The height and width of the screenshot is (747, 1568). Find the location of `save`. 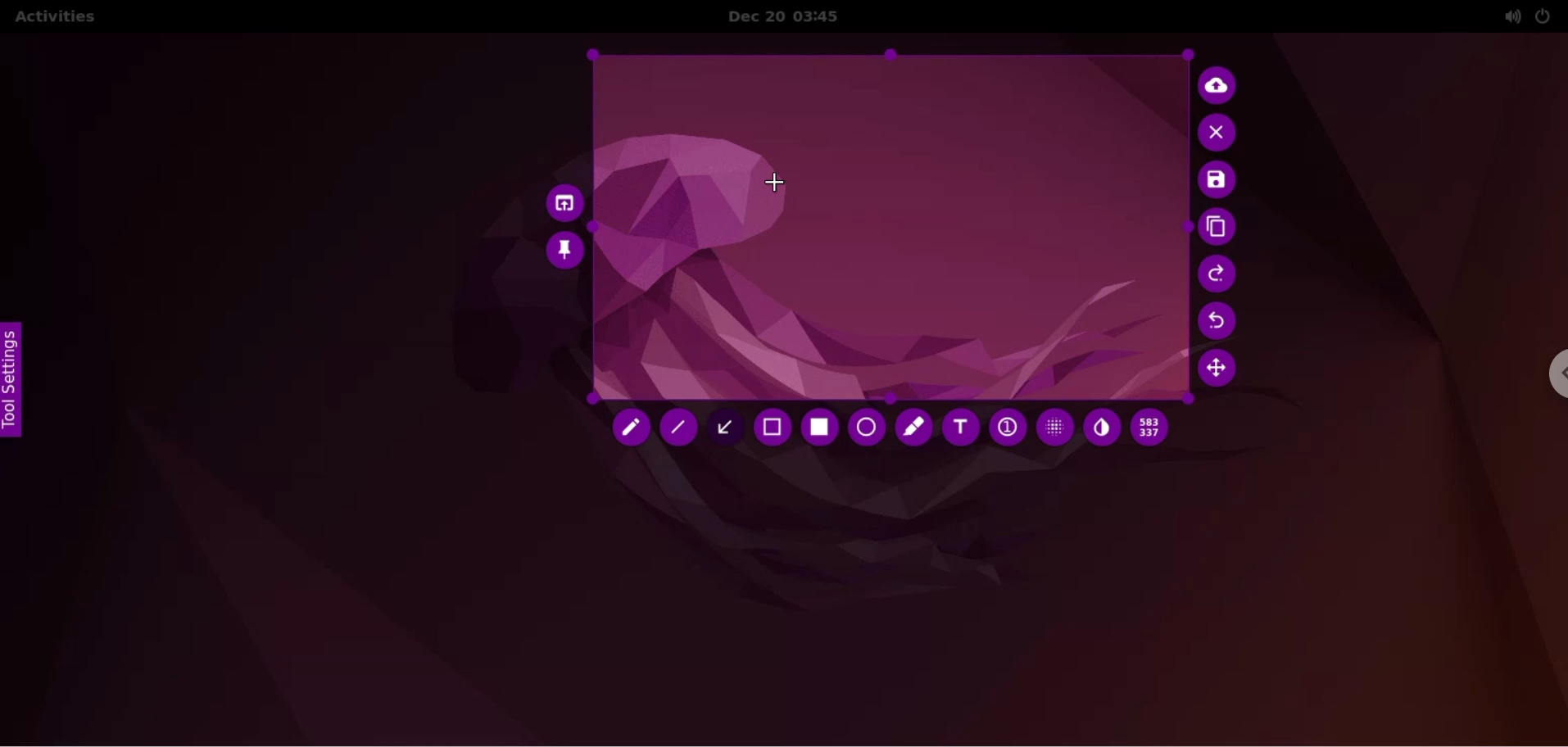

save is located at coordinates (1217, 181).